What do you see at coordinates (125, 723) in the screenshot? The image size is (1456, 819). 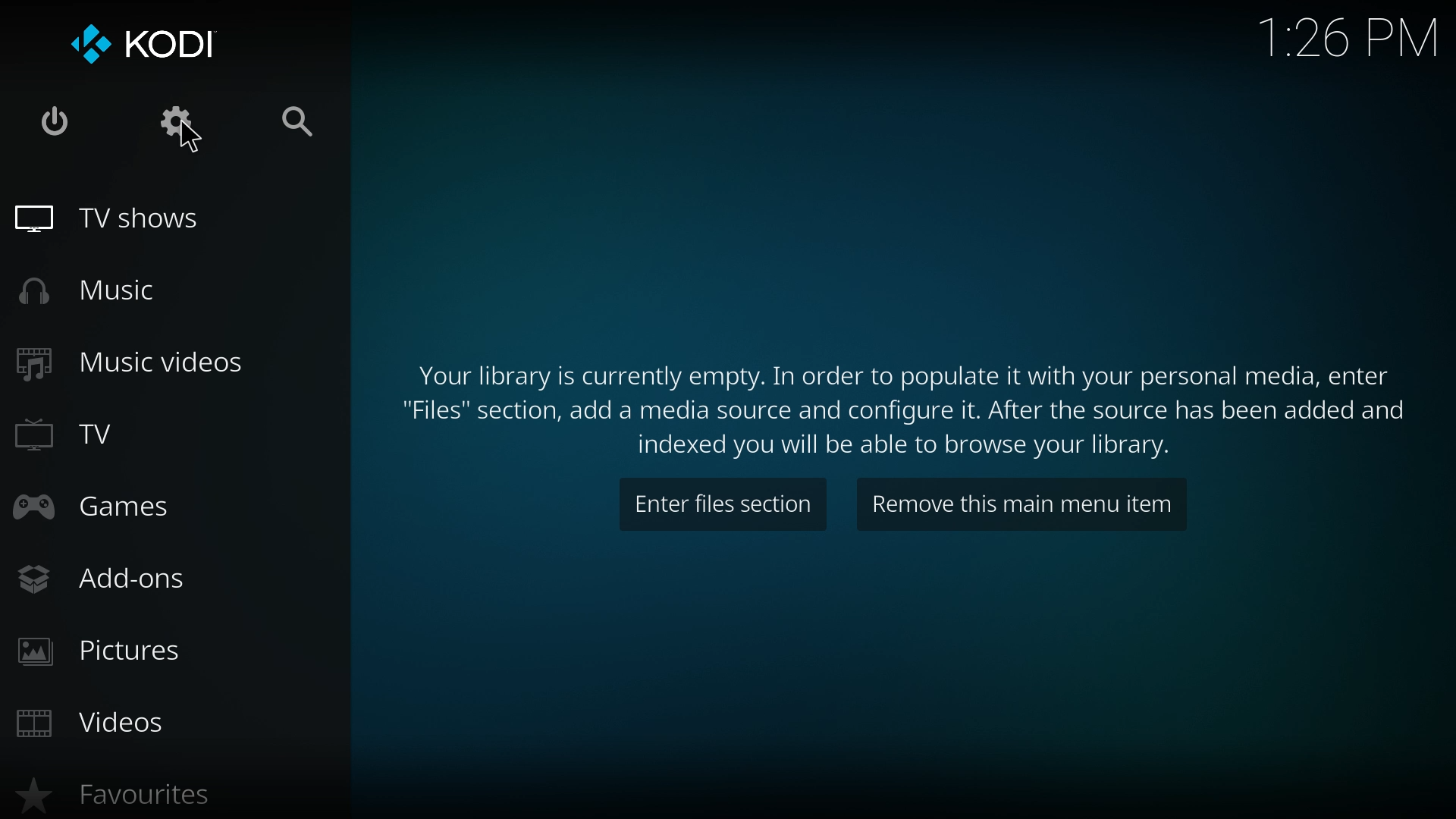 I see `videos` at bounding box center [125, 723].